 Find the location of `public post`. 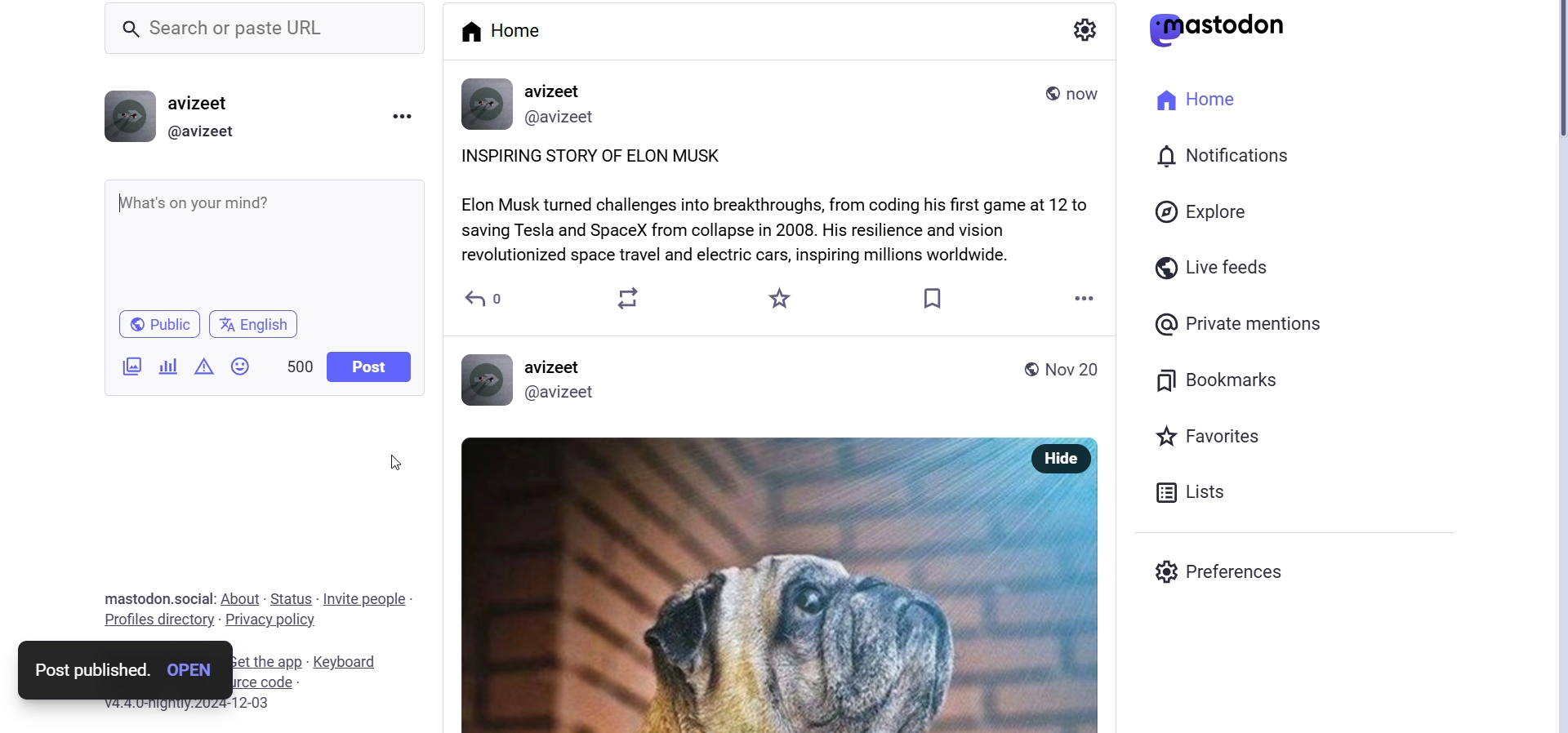

public post is located at coordinates (1048, 93).